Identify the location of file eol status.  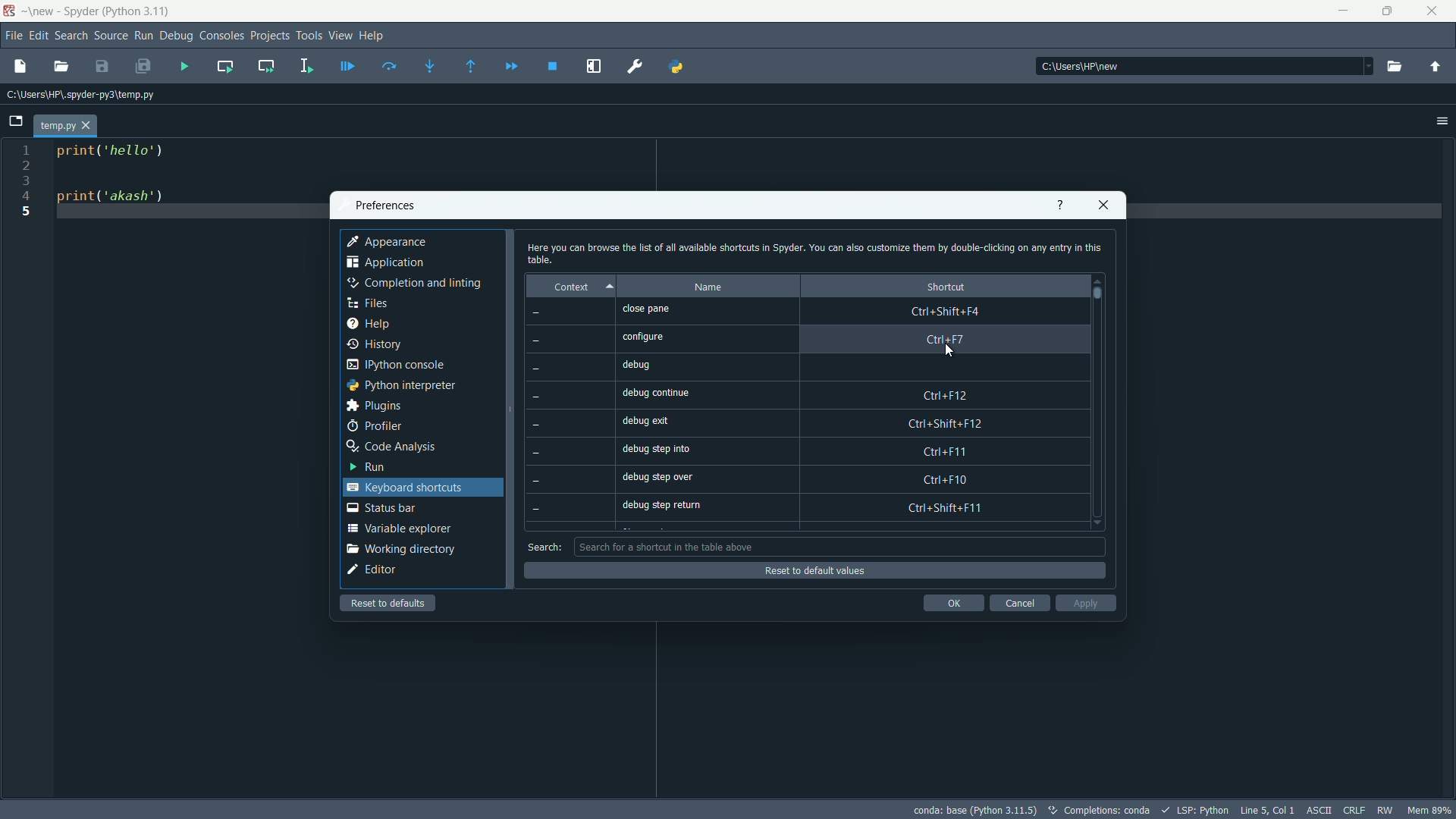
(1353, 808).